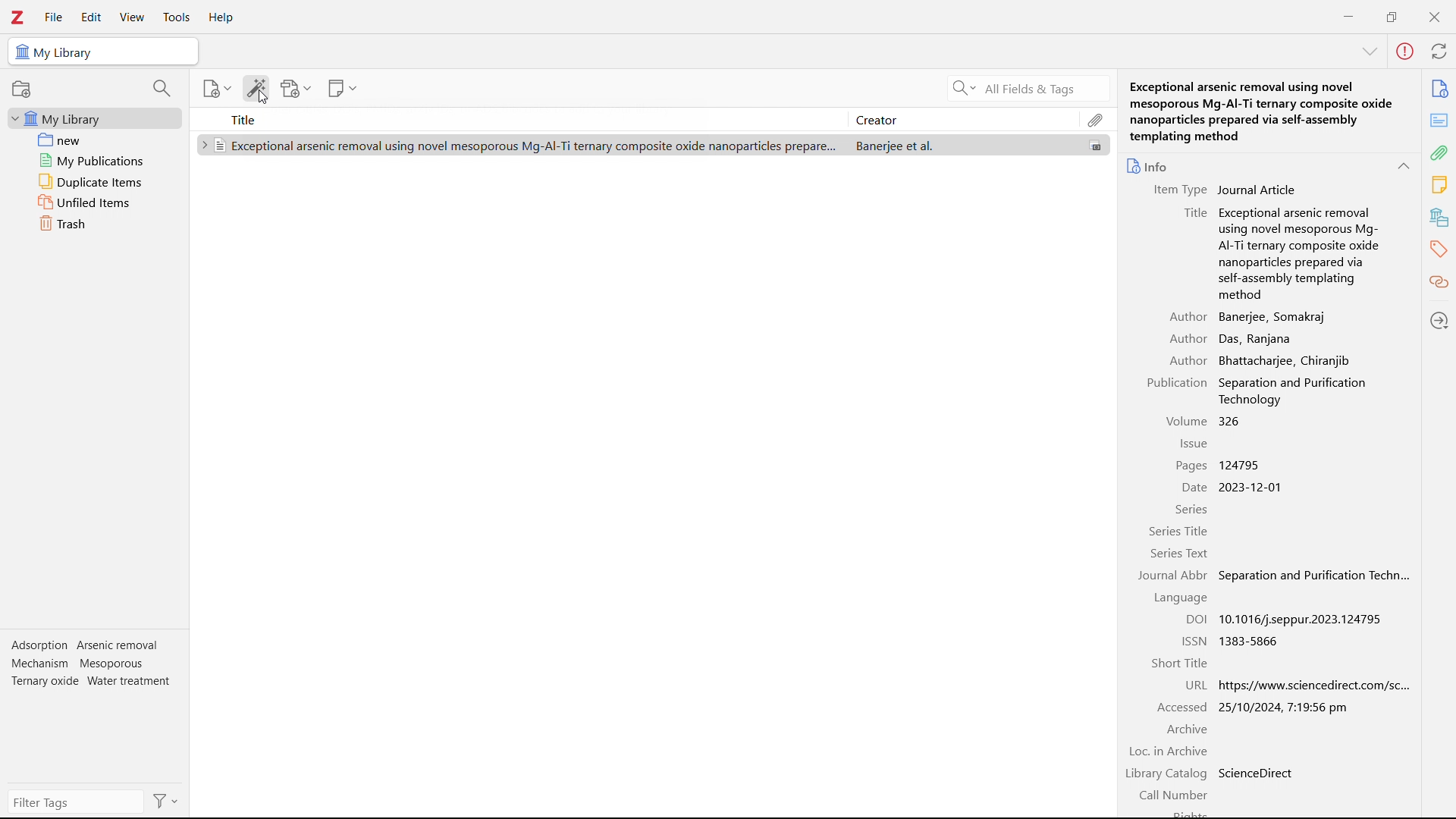 This screenshot has width=1456, height=819. Describe the element at coordinates (1440, 248) in the screenshot. I see `tags` at that location.